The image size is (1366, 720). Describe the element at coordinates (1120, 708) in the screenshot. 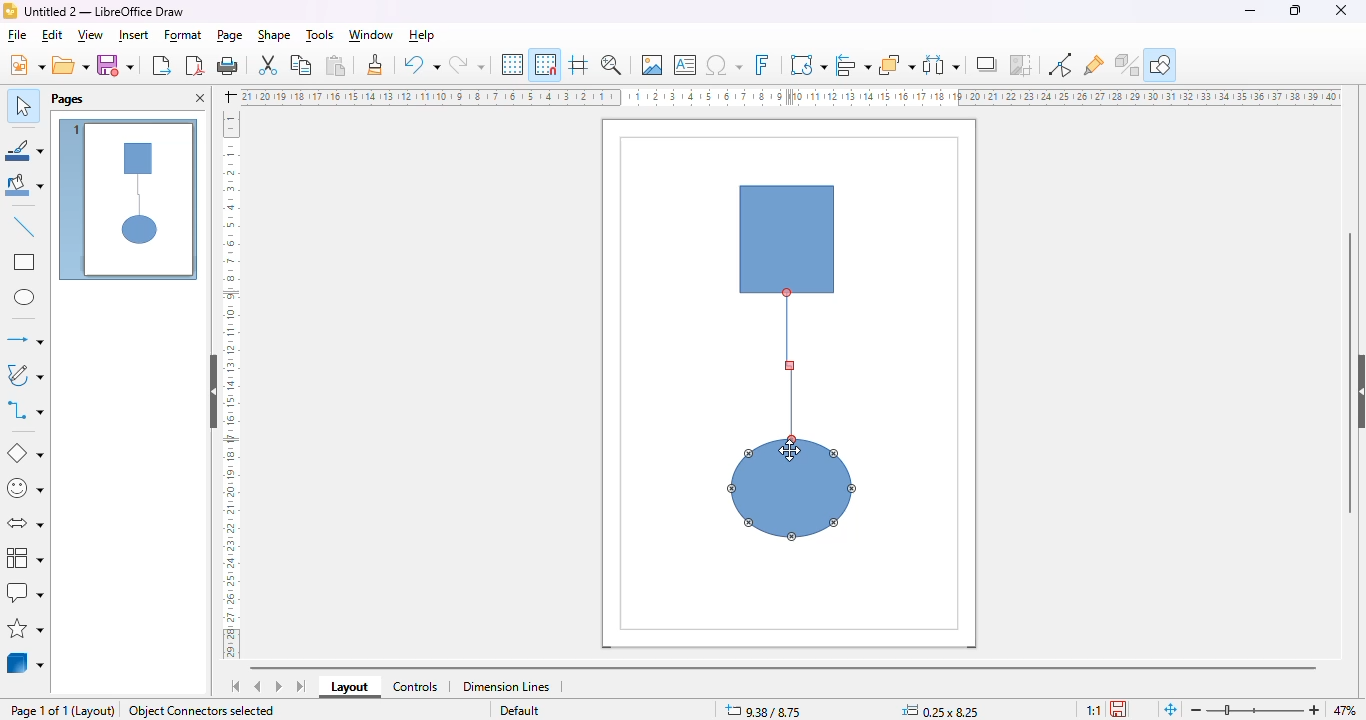

I see `the document has been modified` at that location.